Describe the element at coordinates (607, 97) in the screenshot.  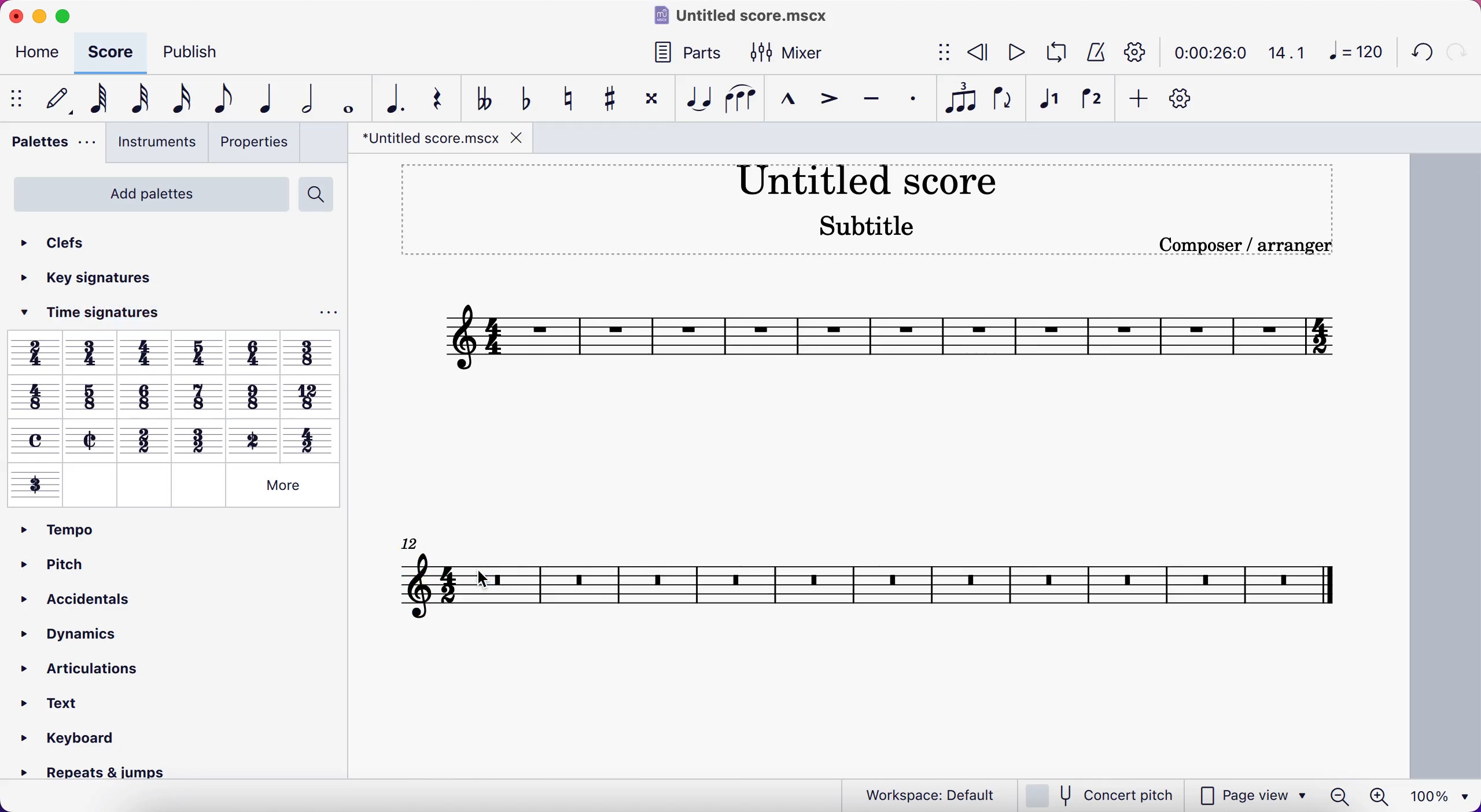
I see `toggle sharp` at that location.